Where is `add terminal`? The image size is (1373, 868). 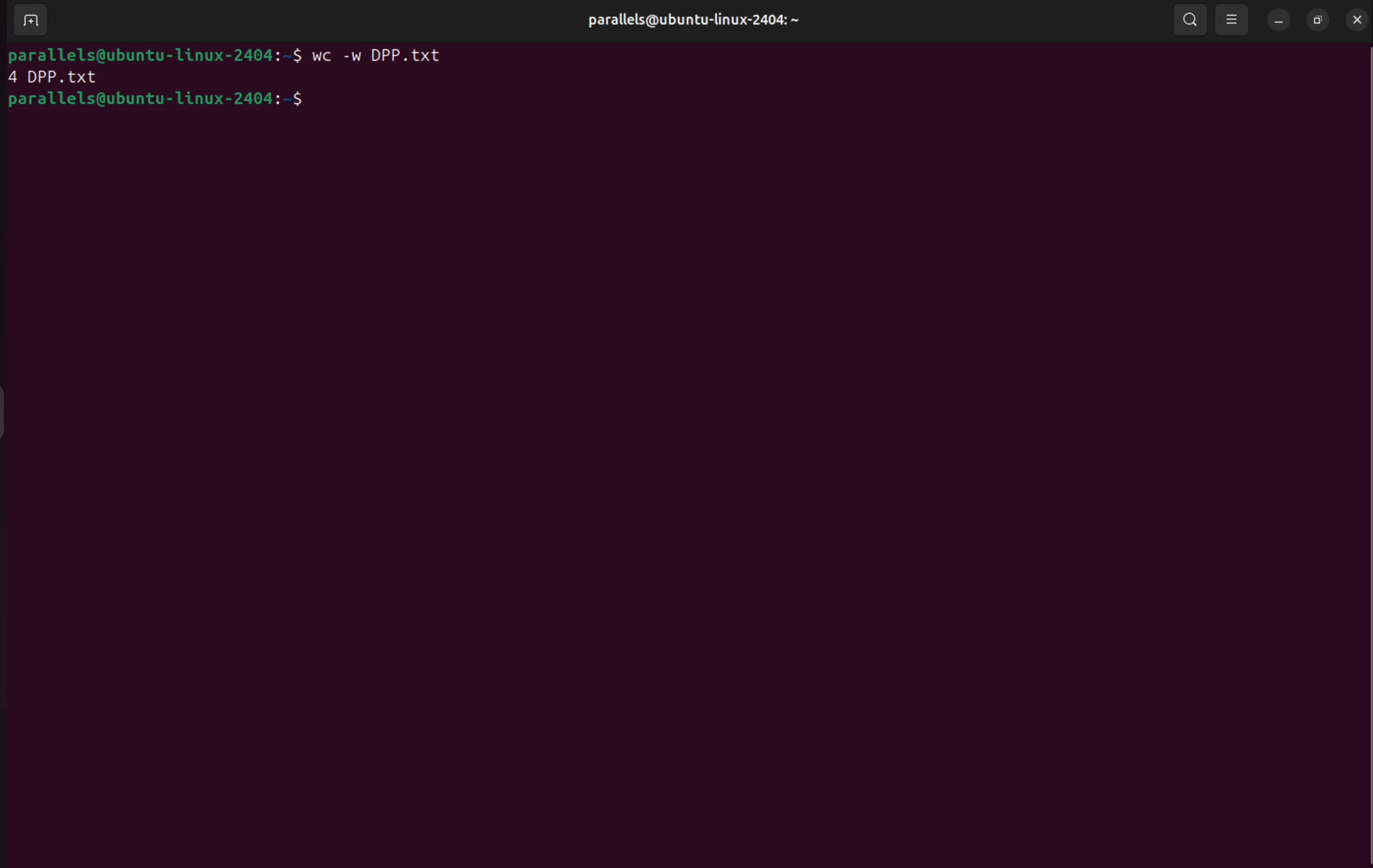 add terminal is located at coordinates (28, 21).